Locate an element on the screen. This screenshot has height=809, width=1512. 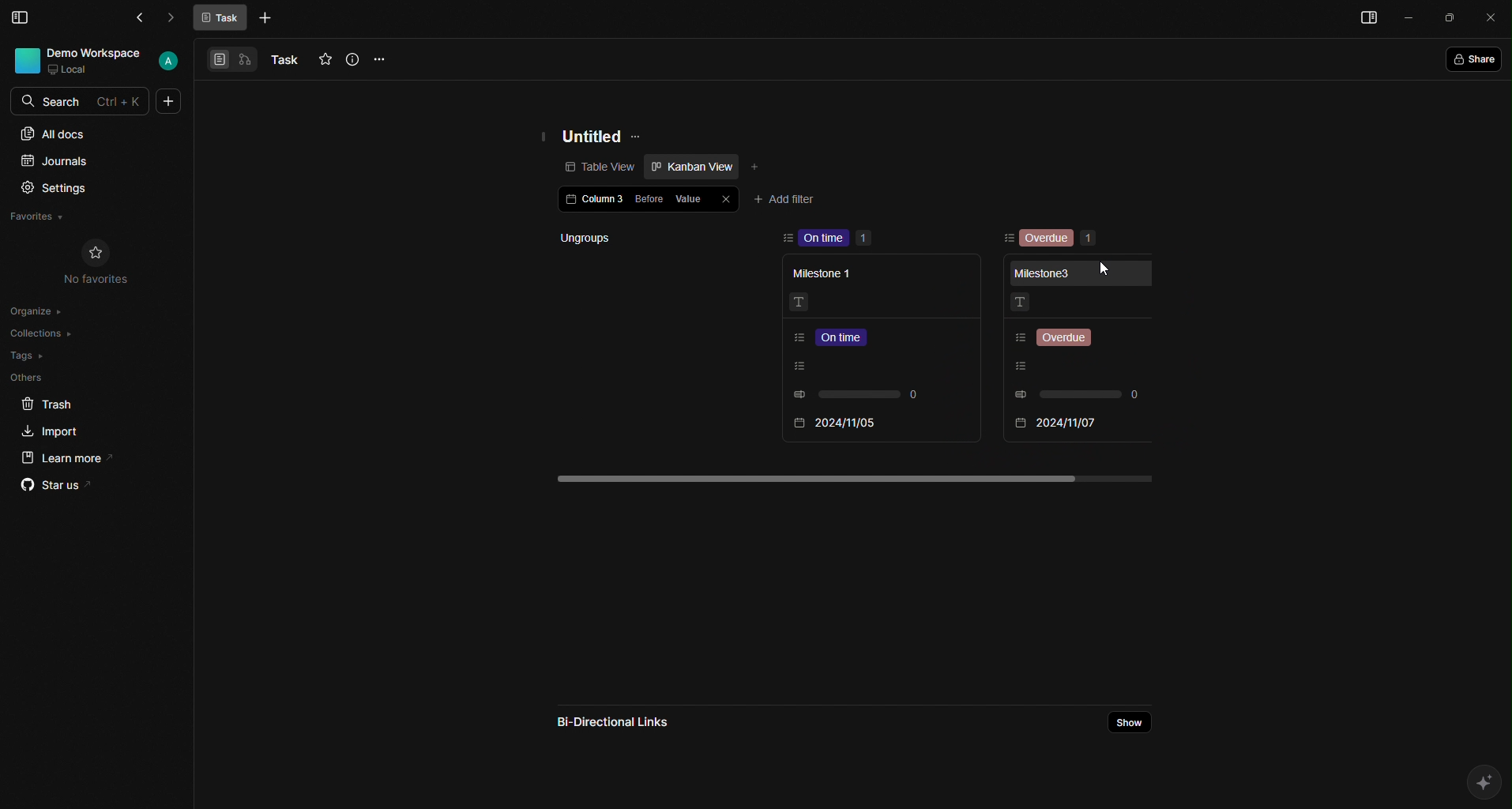
0 is located at coordinates (859, 396).